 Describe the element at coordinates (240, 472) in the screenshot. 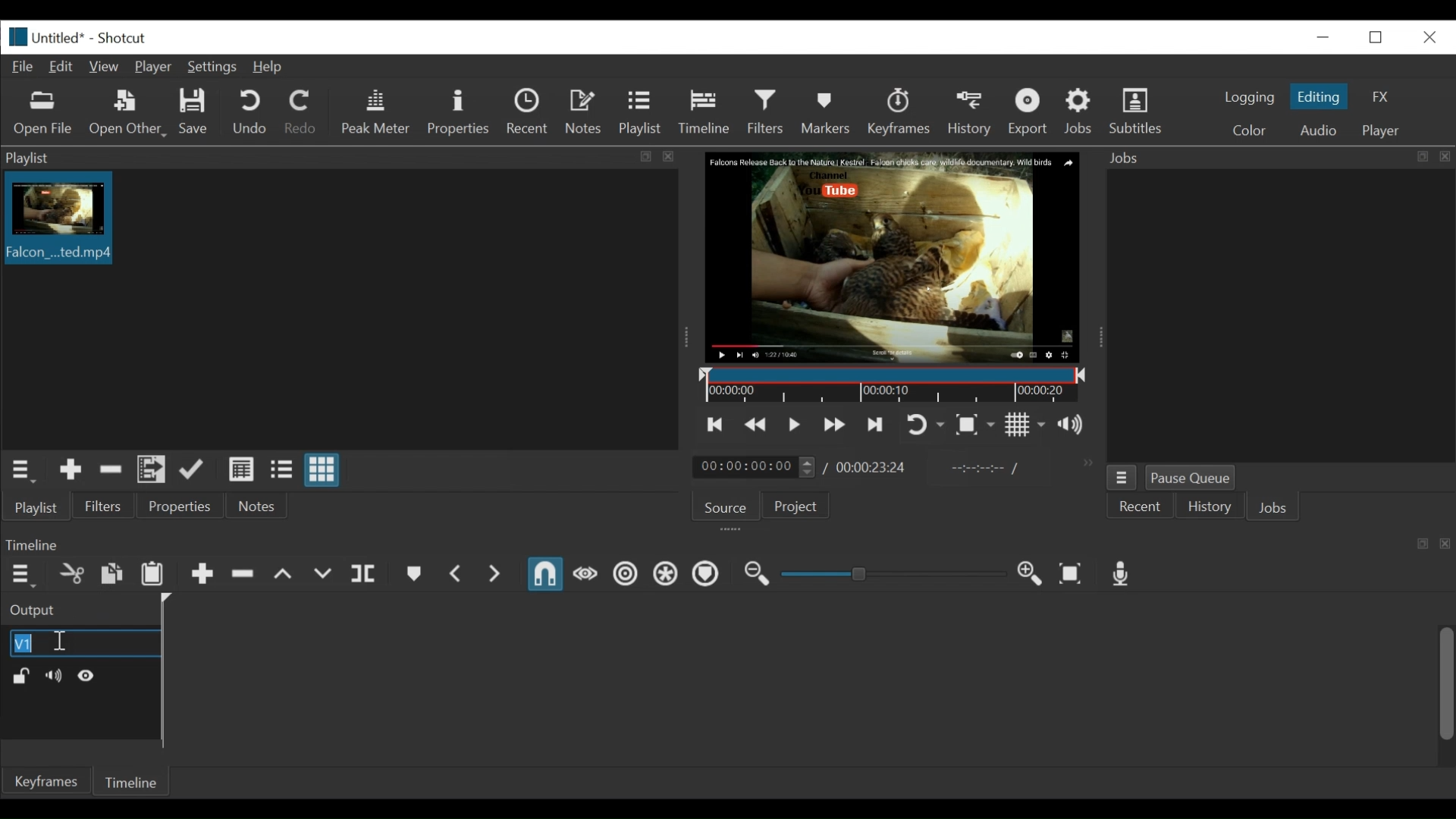

I see `View as detail` at that location.